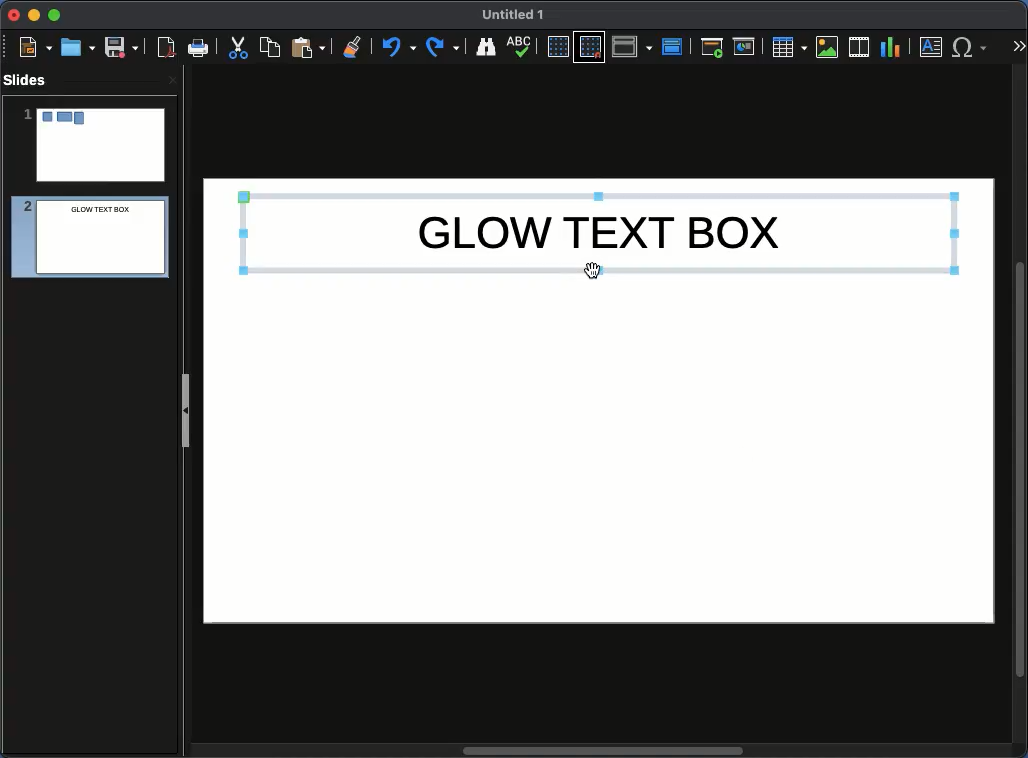  I want to click on Slide 2, so click(84, 240).